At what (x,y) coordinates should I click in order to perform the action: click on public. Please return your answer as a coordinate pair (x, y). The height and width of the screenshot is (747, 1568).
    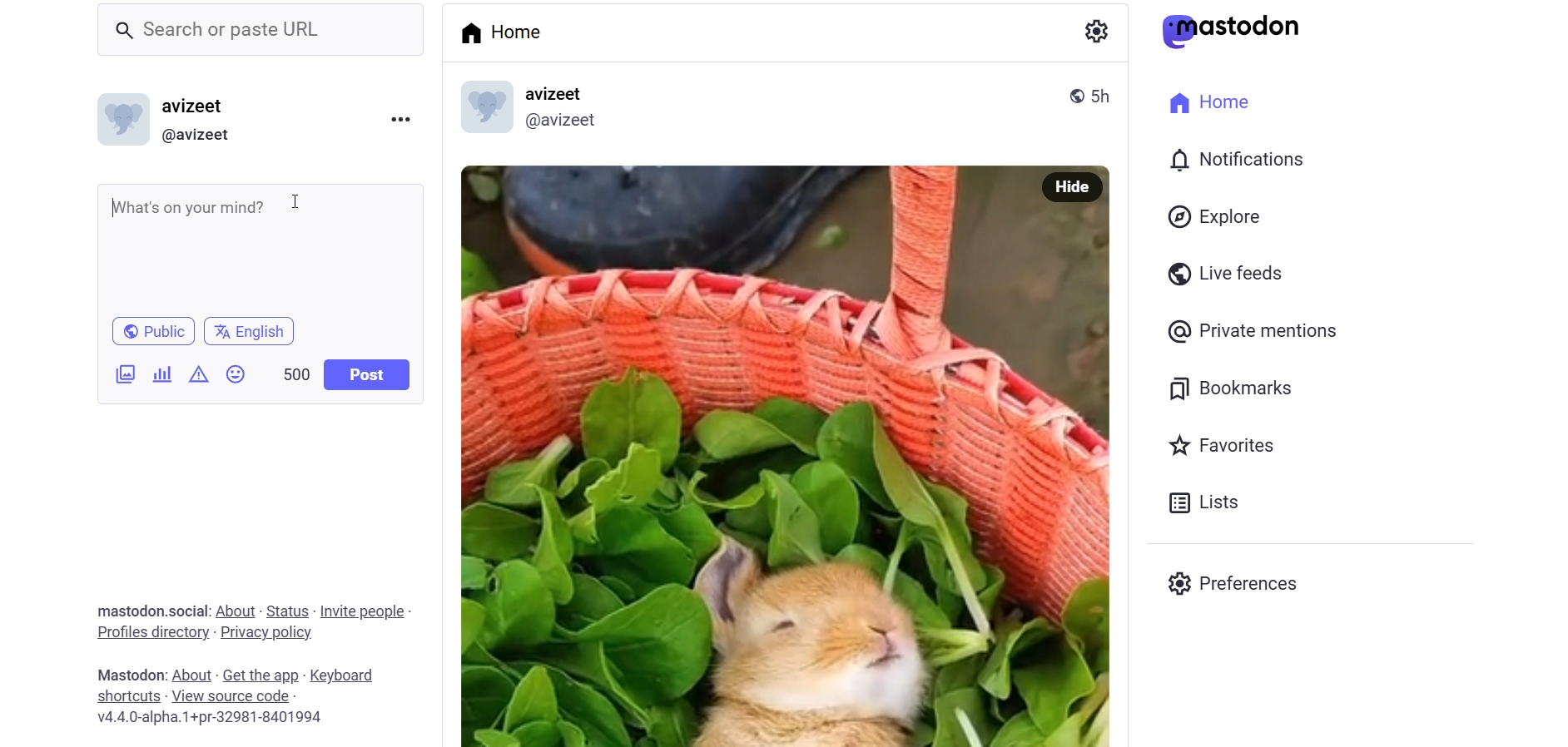
    Looking at the image, I should click on (1071, 93).